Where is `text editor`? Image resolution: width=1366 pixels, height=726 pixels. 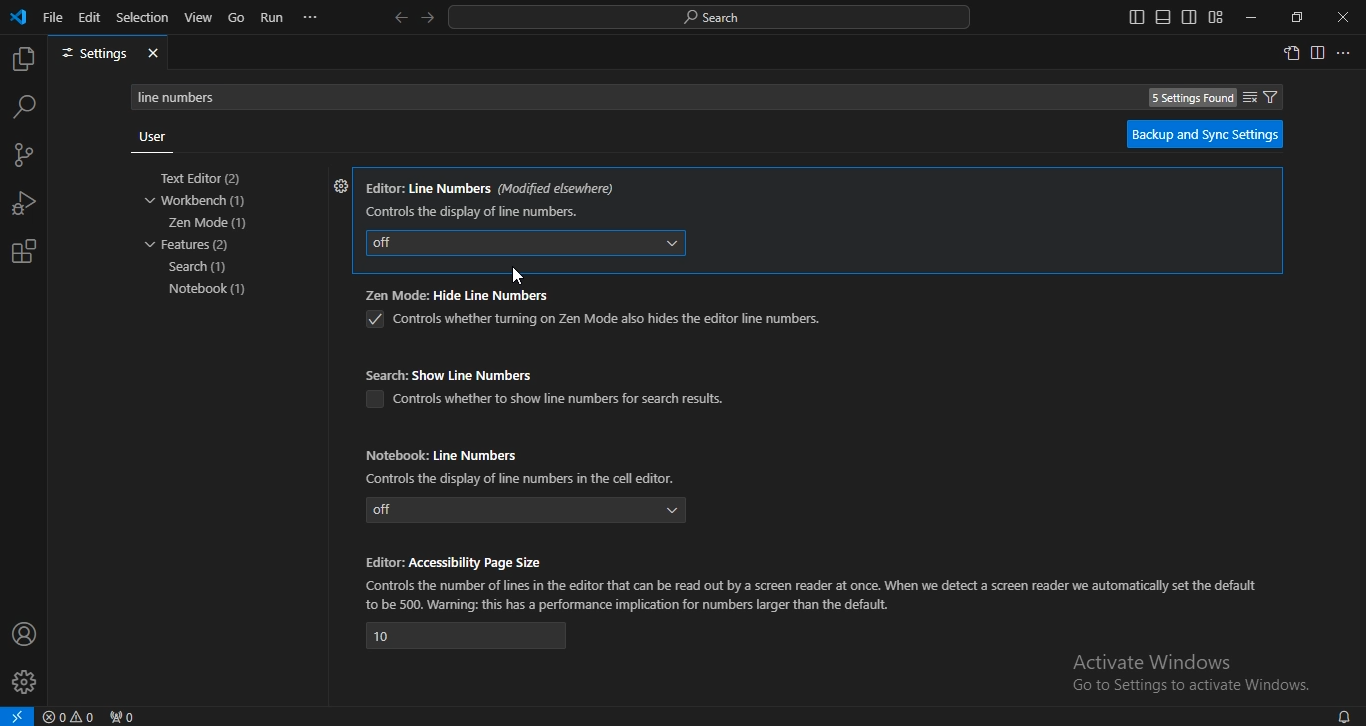
text editor is located at coordinates (206, 179).